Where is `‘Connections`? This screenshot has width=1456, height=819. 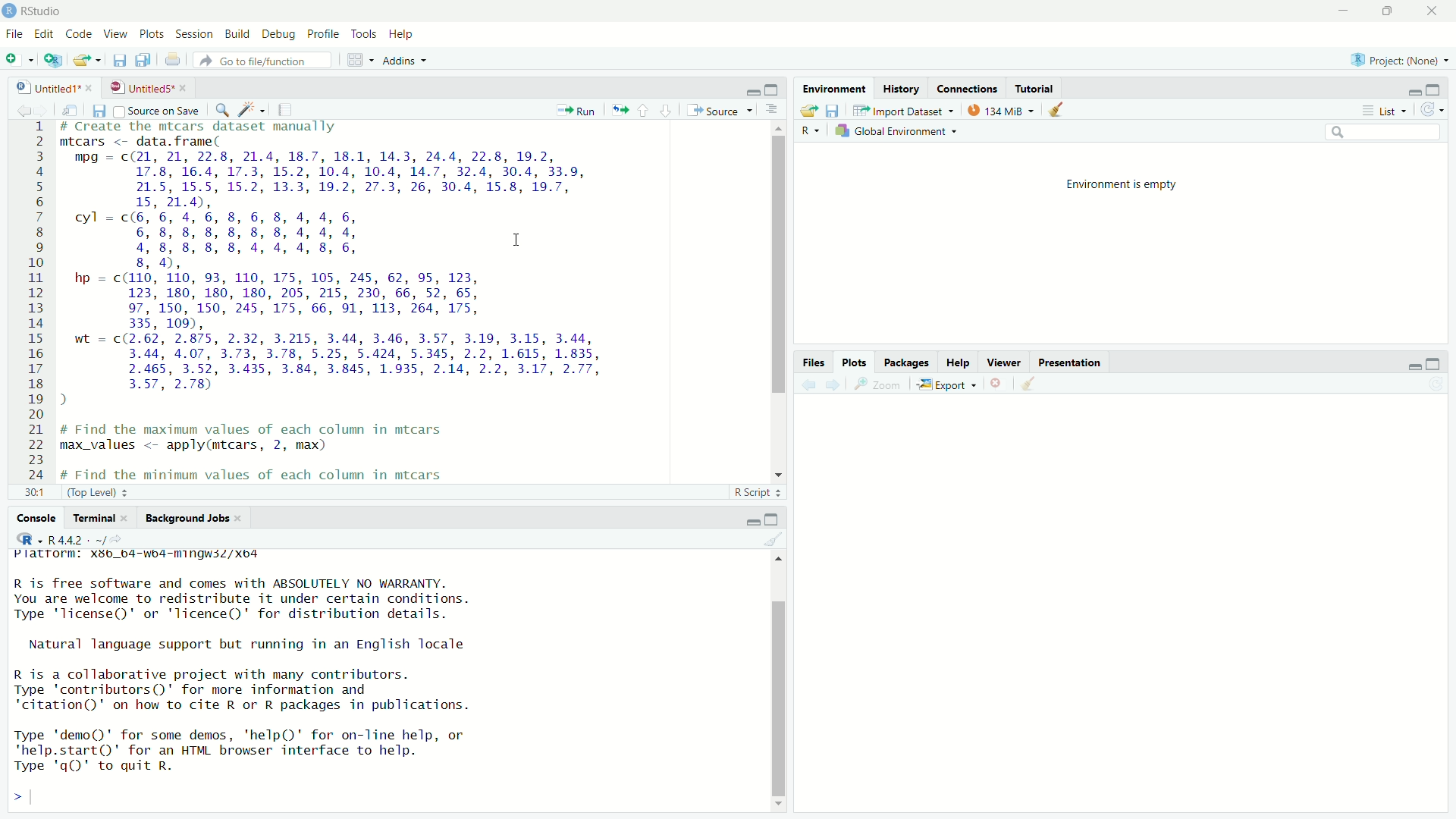
‘Connections is located at coordinates (968, 88).